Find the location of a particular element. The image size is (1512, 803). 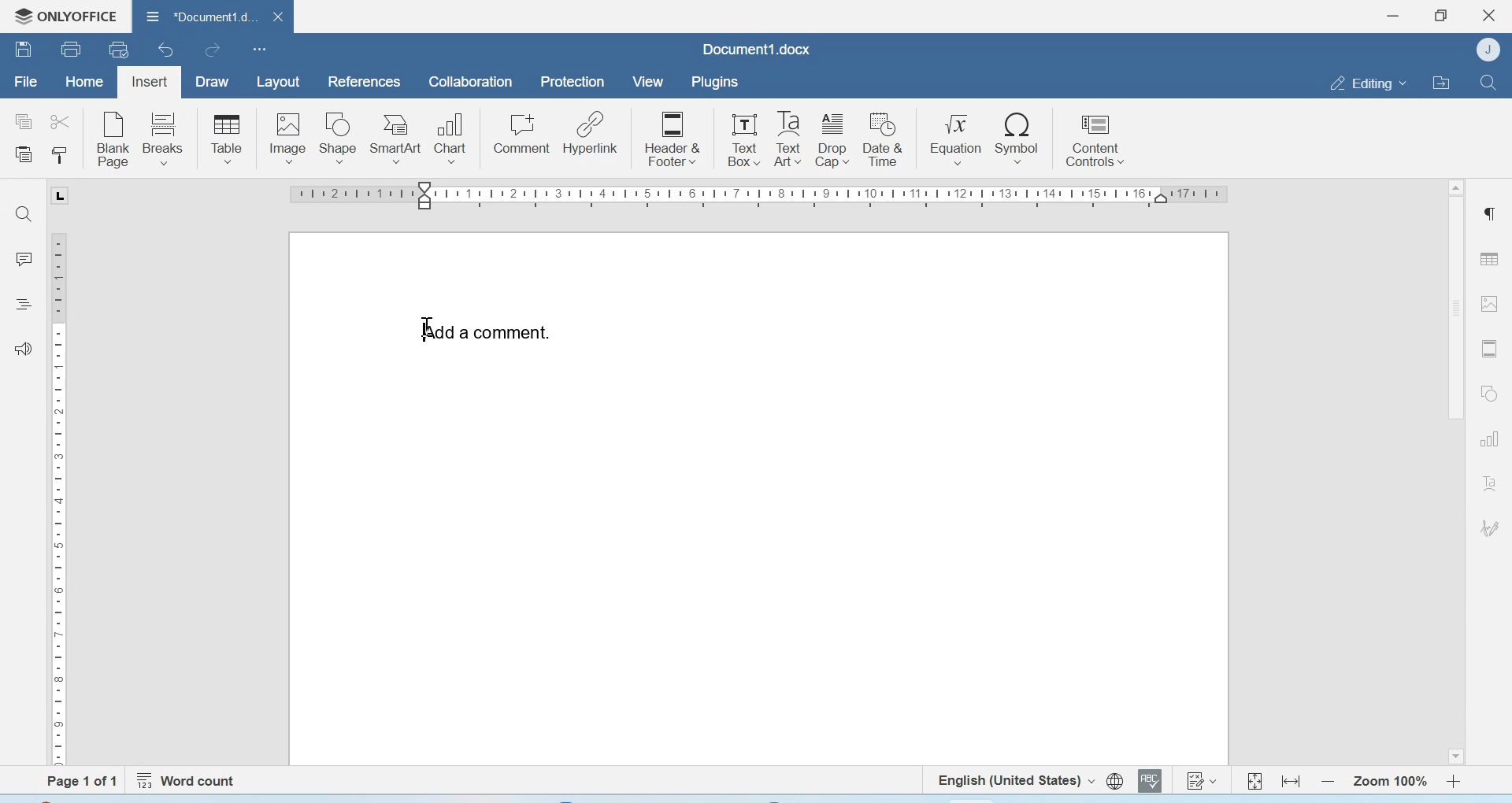

Maximize is located at coordinates (1440, 16).